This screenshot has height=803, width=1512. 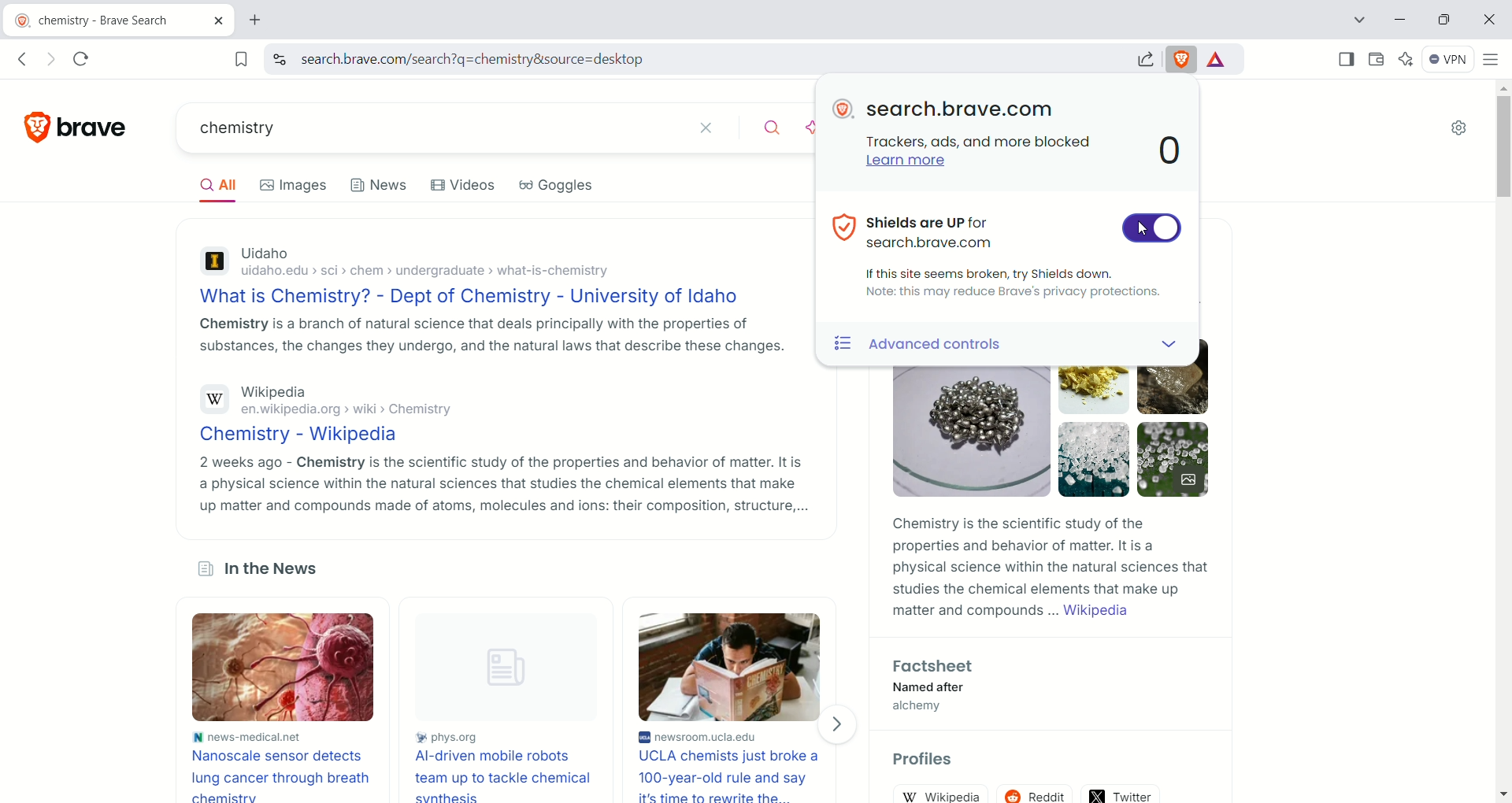 I want to click on reload, so click(x=87, y=58).